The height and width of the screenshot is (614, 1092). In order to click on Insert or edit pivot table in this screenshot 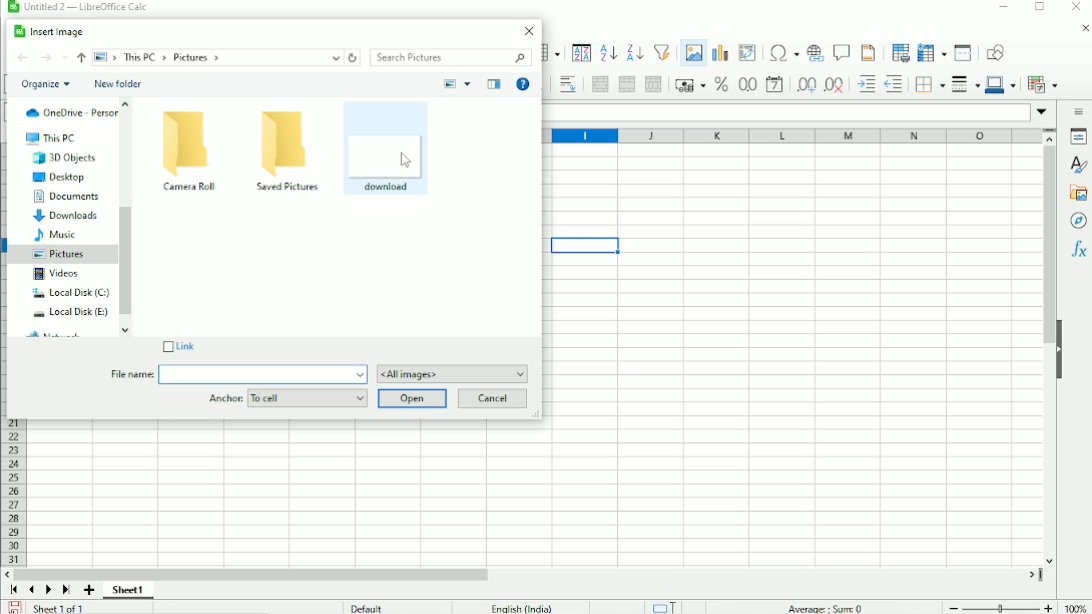, I will do `click(747, 52)`.